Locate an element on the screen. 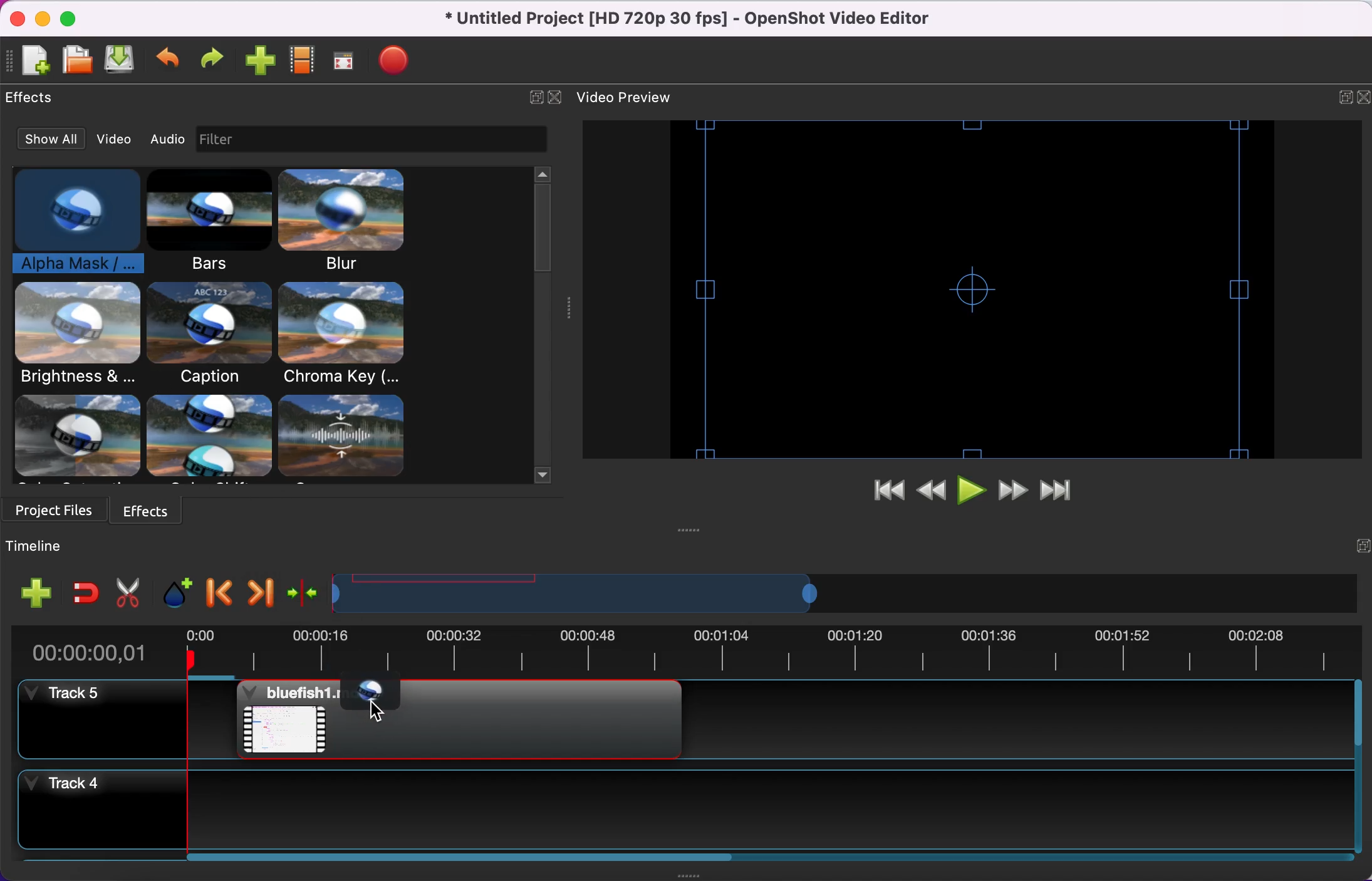 This screenshot has width=1372, height=881. vertical slider is located at coordinates (543, 224).